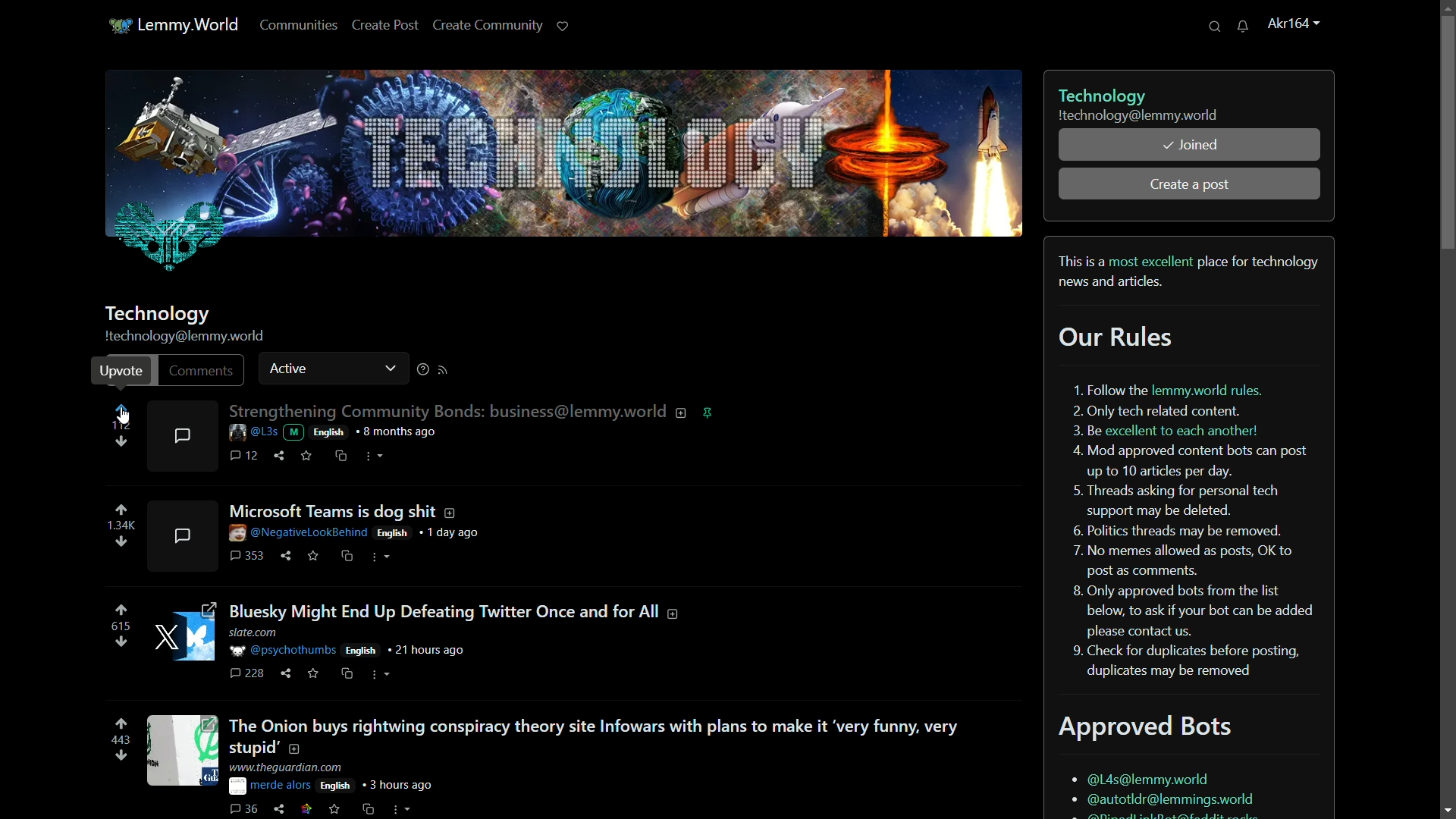 The width and height of the screenshot is (1456, 819). Describe the element at coordinates (122, 371) in the screenshot. I see `upvote pop up` at that location.